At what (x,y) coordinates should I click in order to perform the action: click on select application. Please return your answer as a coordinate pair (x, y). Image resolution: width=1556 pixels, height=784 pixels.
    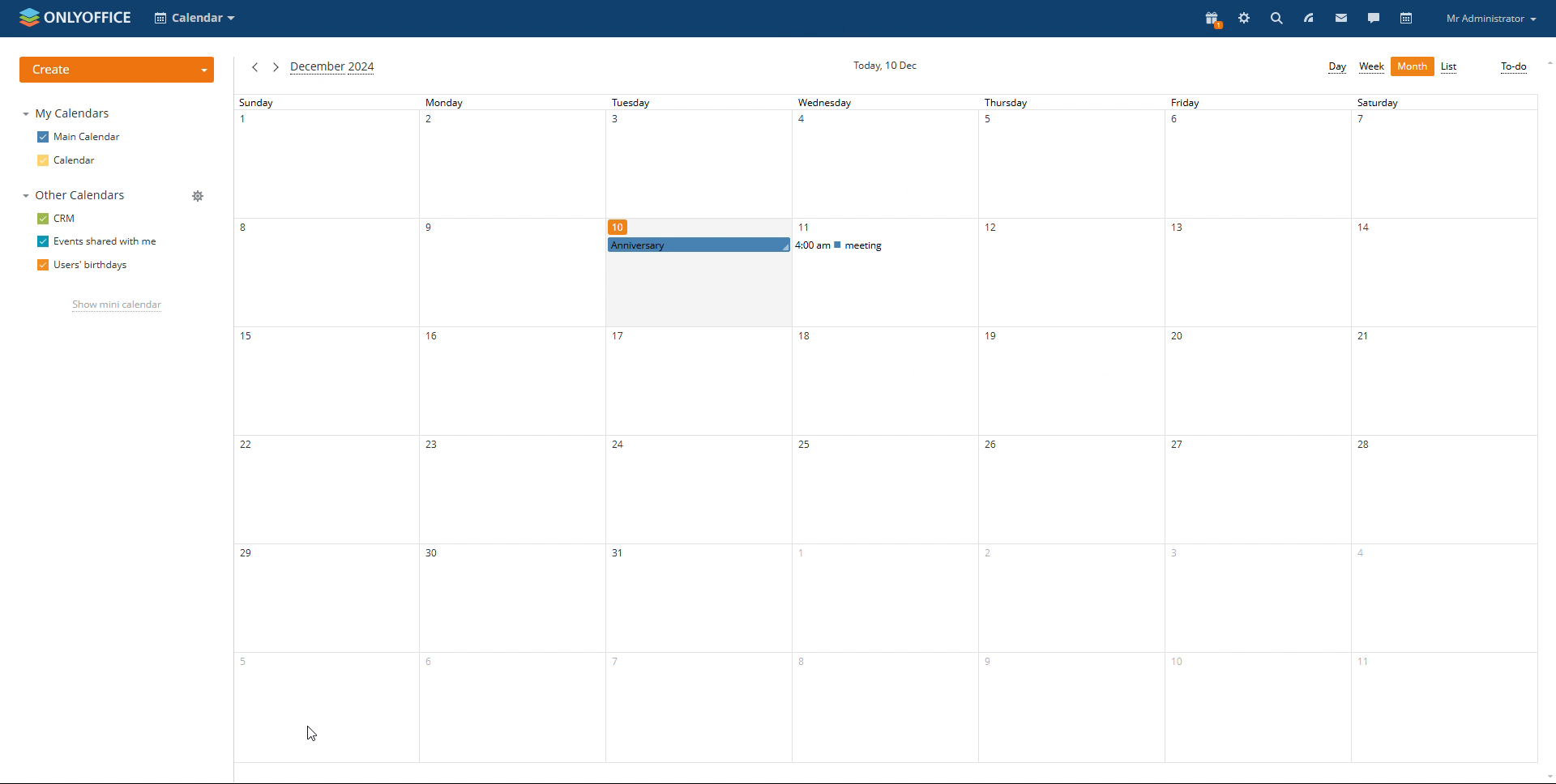
    Looking at the image, I should click on (196, 18).